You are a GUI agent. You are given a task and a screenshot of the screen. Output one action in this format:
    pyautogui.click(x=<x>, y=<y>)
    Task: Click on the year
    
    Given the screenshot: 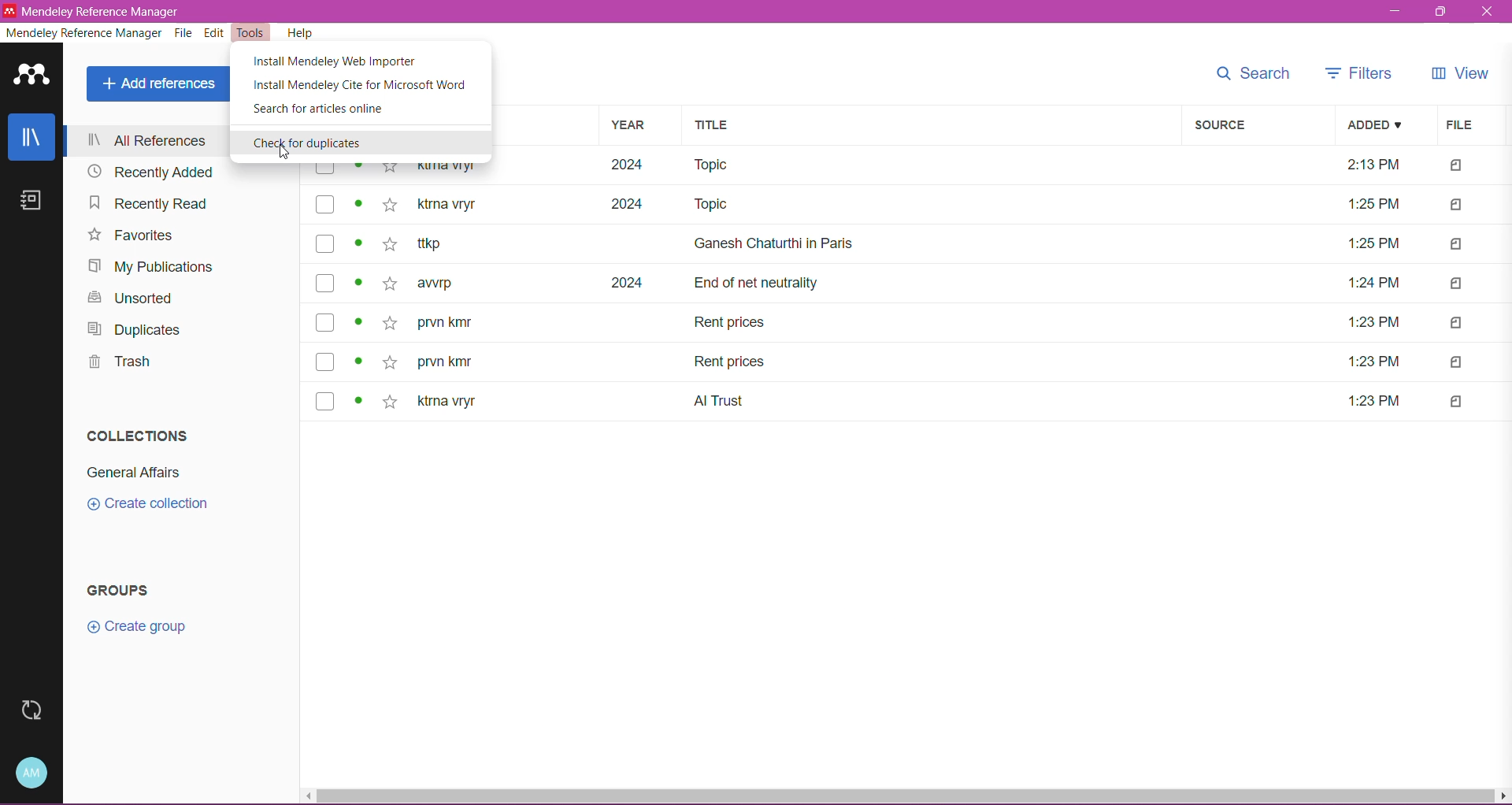 What is the action you would take?
    pyautogui.click(x=629, y=206)
    